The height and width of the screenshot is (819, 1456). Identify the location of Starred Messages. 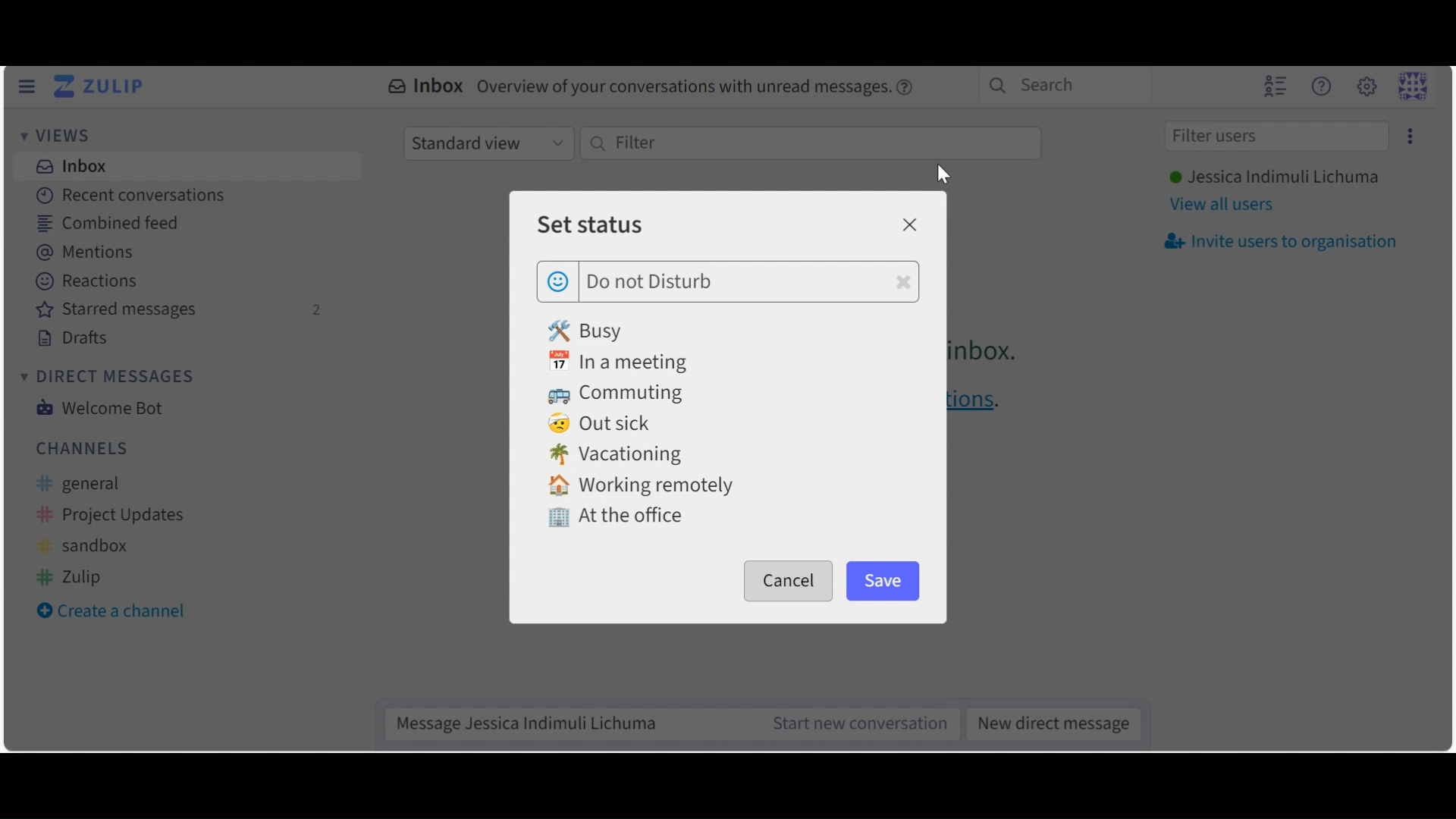
(180, 311).